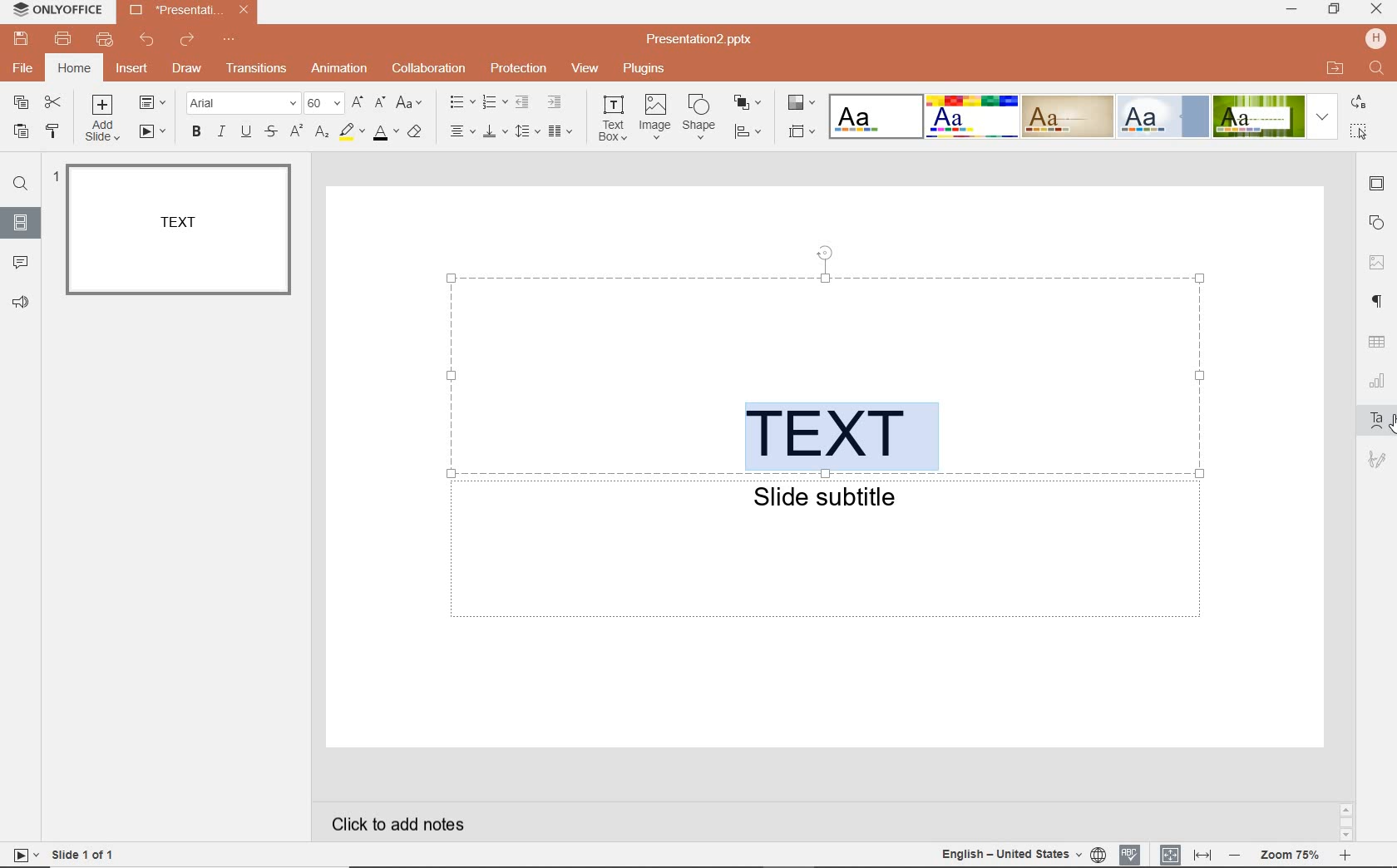 The width and height of the screenshot is (1397, 868). Describe the element at coordinates (258, 68) in the screenshot. I see `TRANSITION` at that location.